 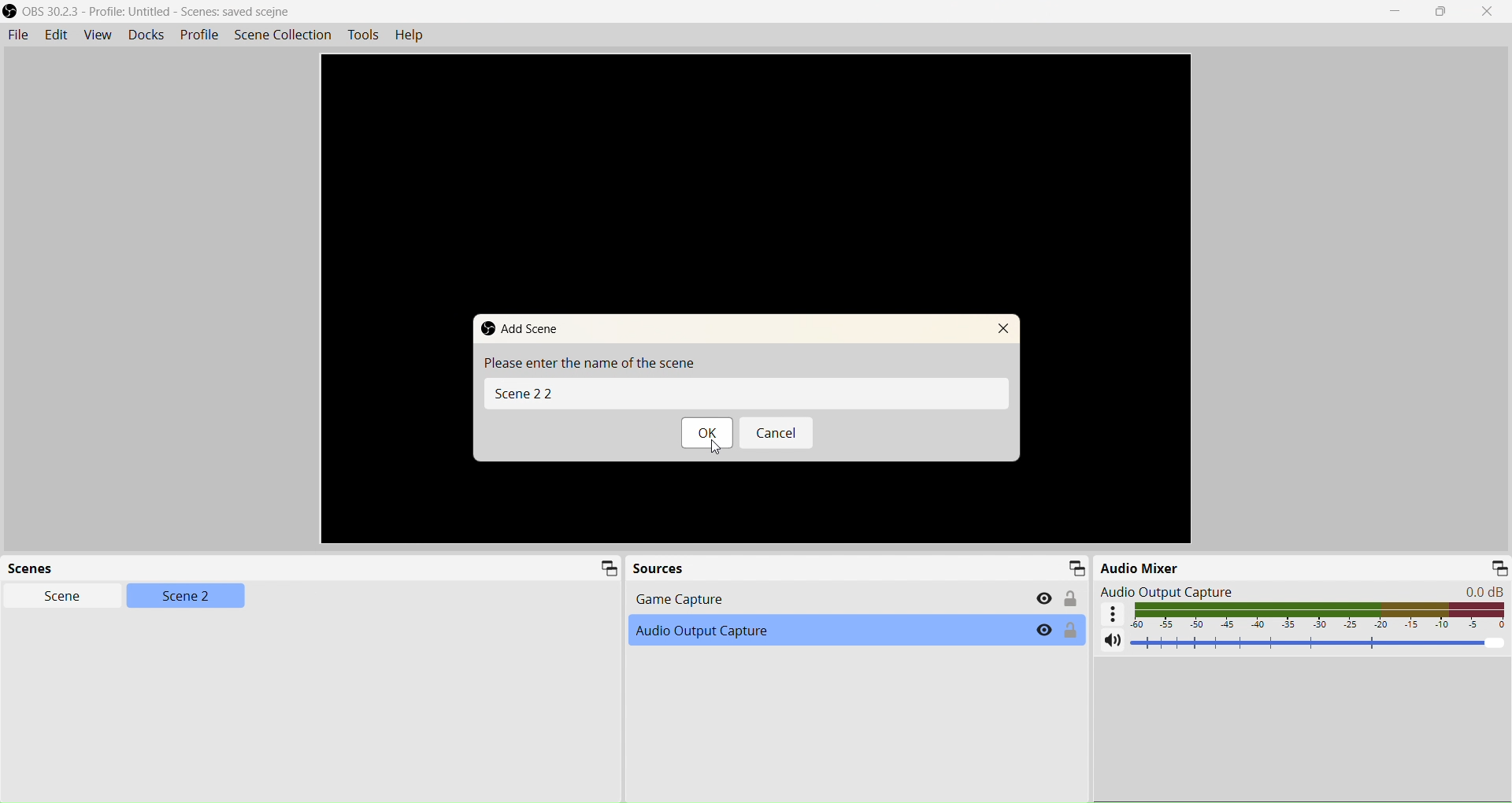 What do you see at coordinates (1112, 613) in the screenshot?
I see `More` at bounding box center [1112, 613].